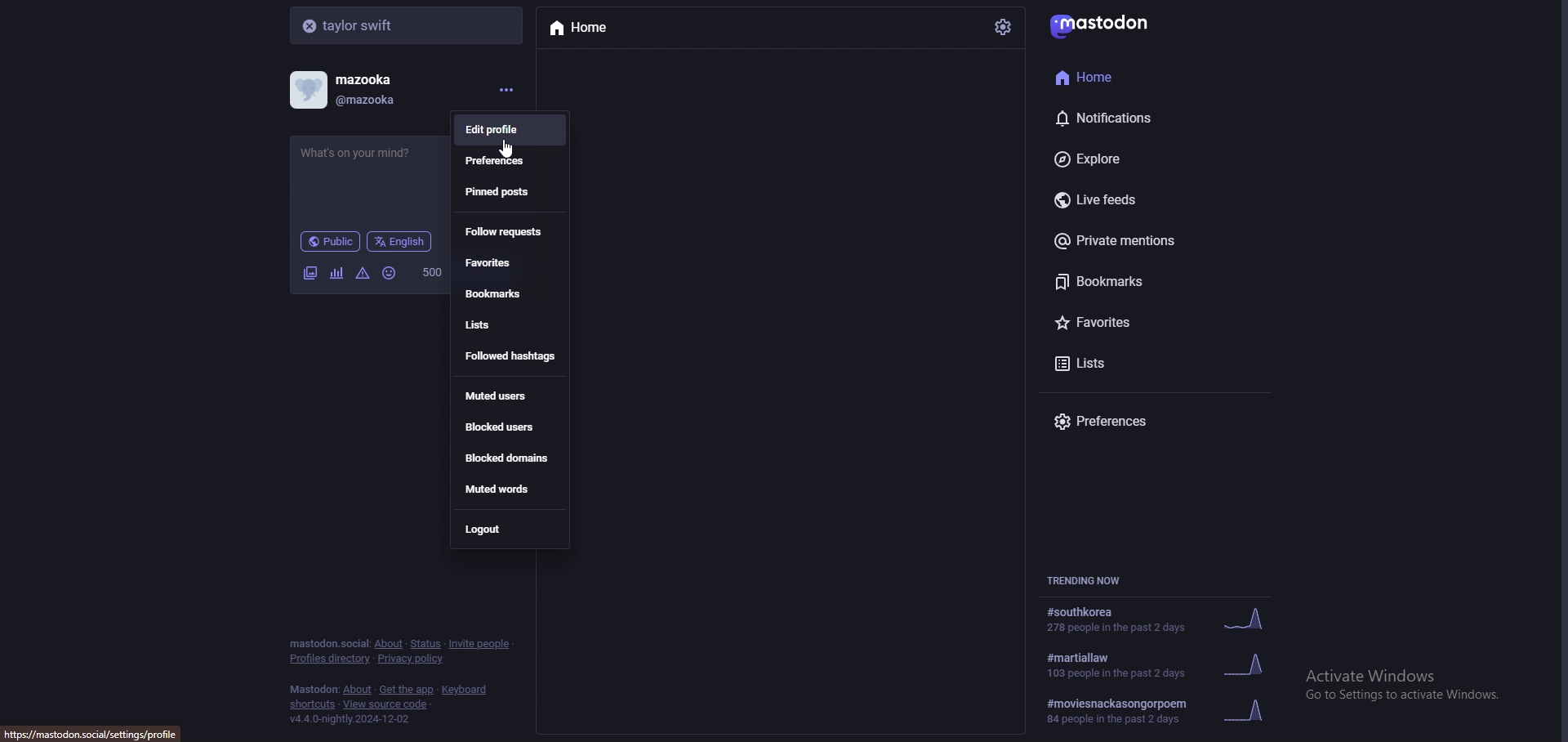 The height and width of the screenshot is (742, 1568). Describe the element at coordinates (1158, 665) in the screenshot. I see `trending` at that location.